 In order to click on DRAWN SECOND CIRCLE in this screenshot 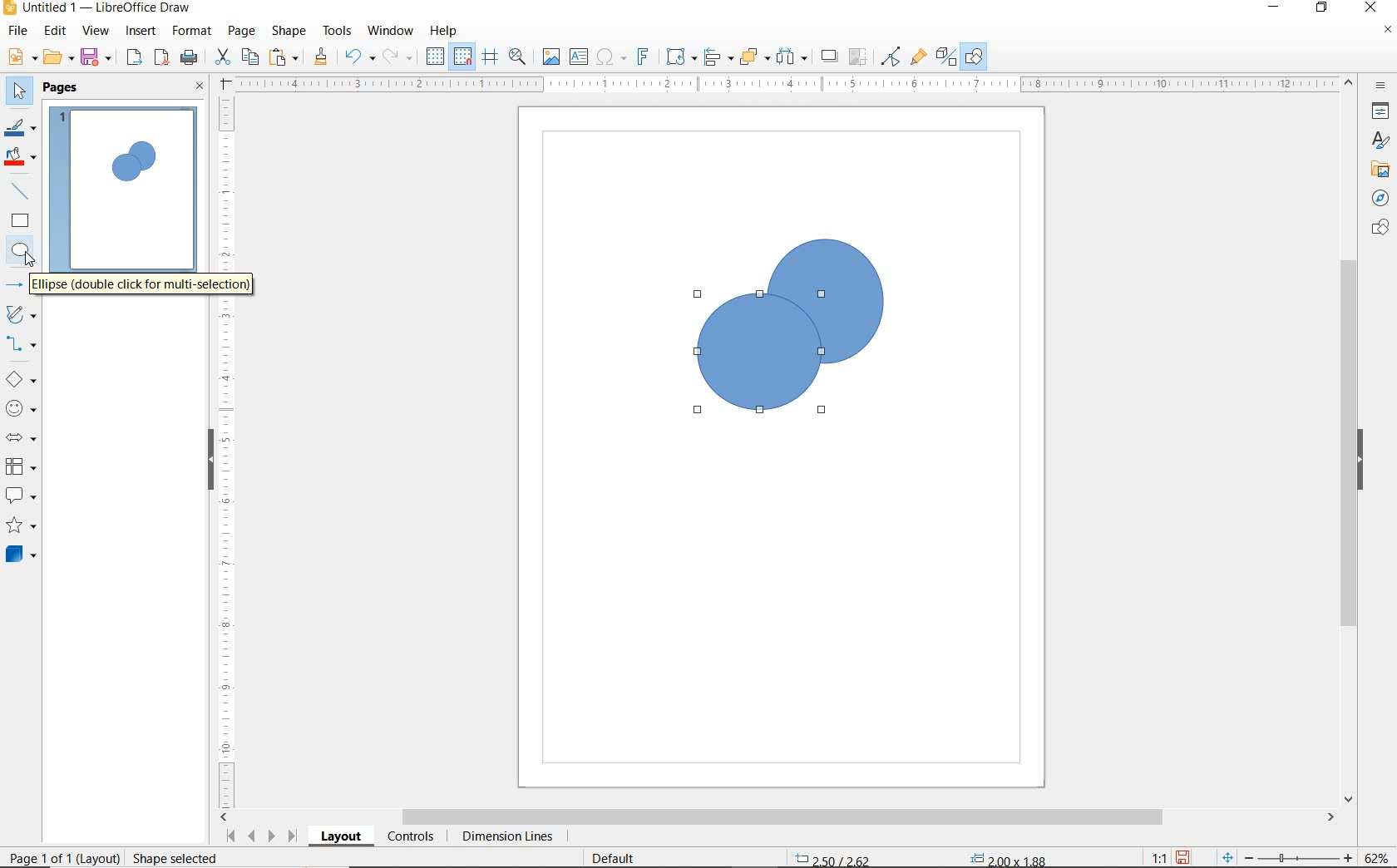, I will do `click(760, 358)`.